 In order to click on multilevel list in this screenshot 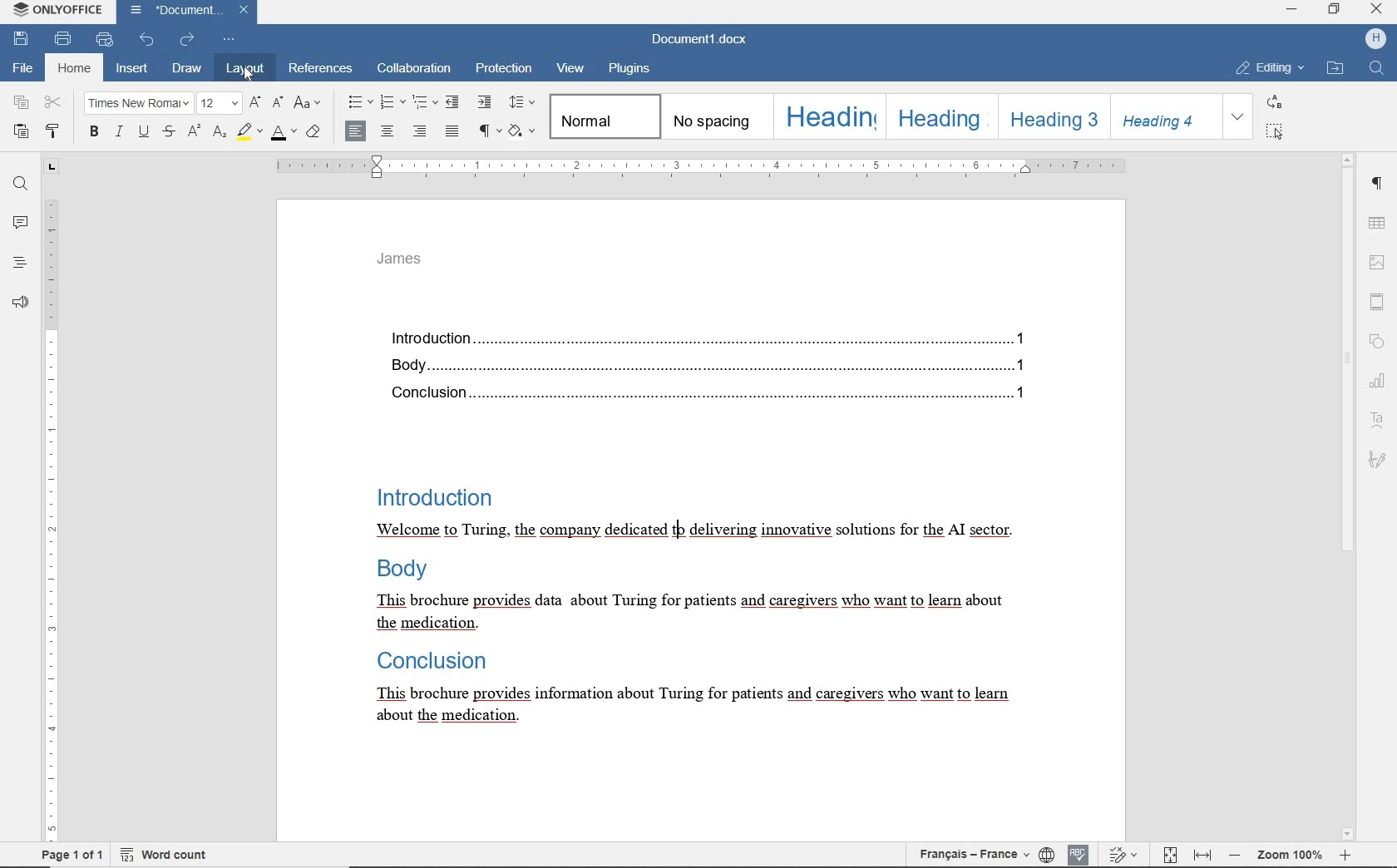, I will do `click(426, 103)`.